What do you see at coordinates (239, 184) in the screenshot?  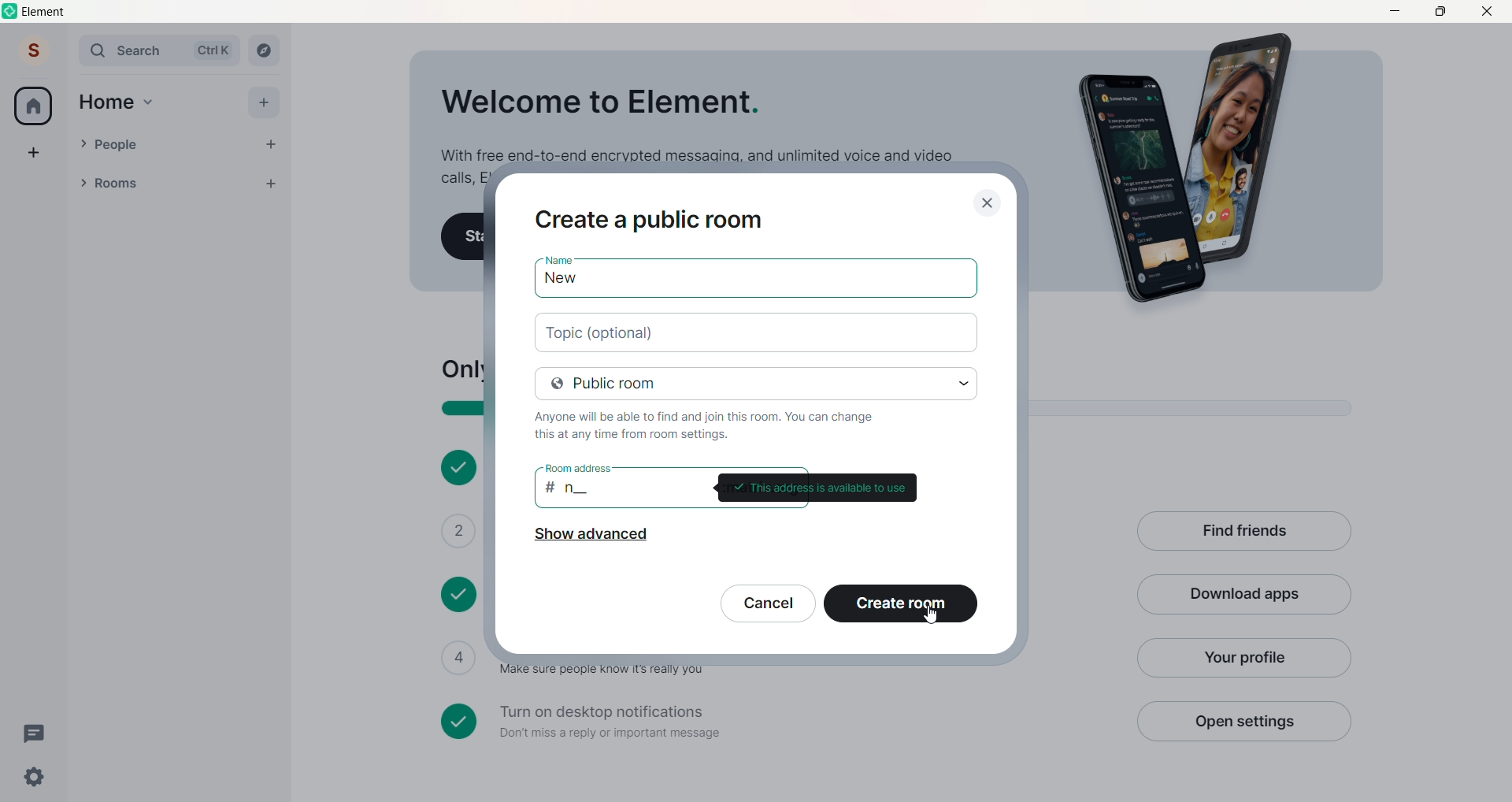 I see `List options` at bounding box center [239, 184].